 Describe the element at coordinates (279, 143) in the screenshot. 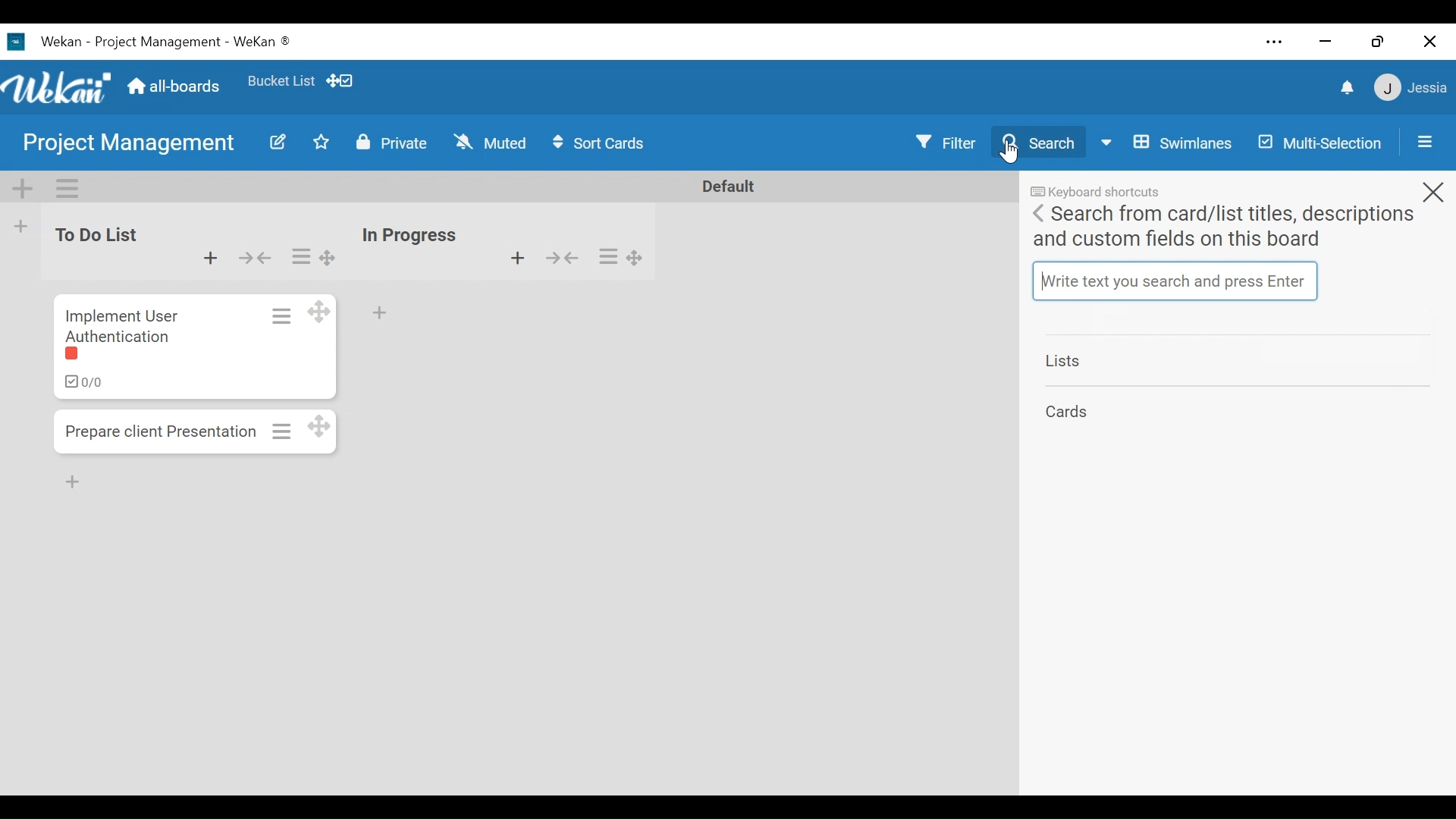

I see `Edit` at that location.